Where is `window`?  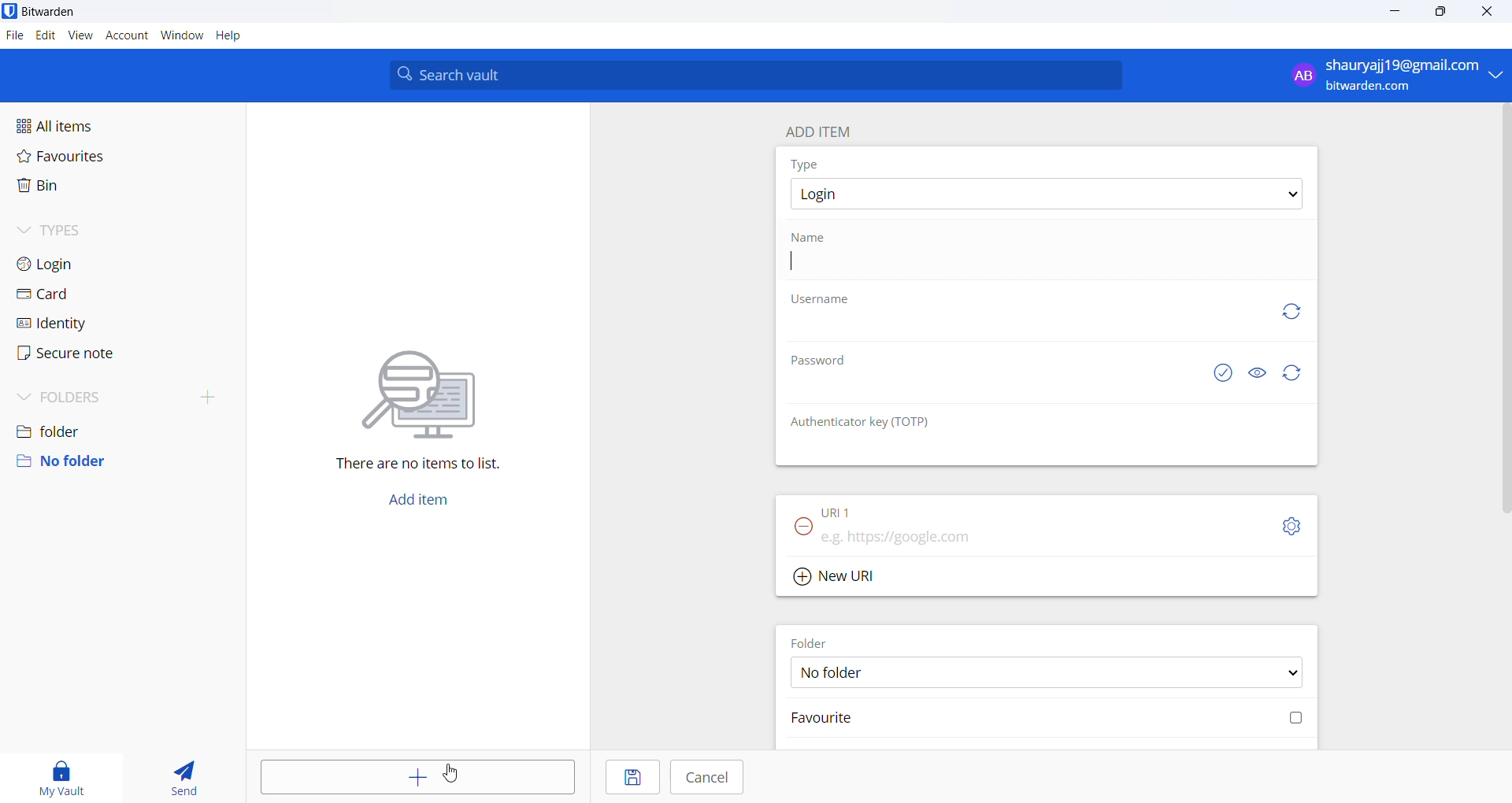
window is located at coordinates (182, 35).